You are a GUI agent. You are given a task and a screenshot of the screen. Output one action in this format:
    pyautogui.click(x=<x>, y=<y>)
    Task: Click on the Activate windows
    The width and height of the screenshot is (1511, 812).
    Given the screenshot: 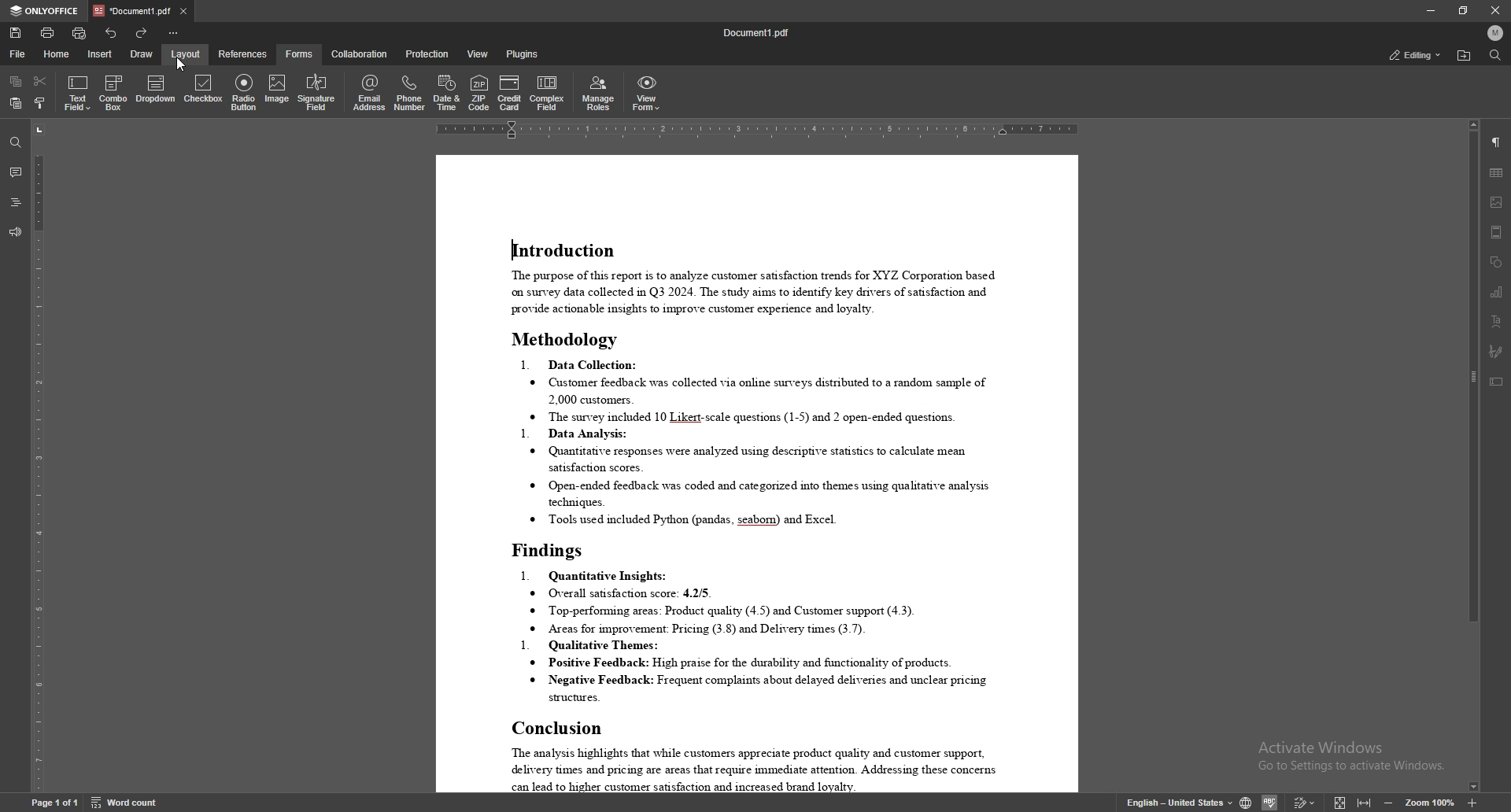 What is the action you would take?
    pyautogui.click(x=1347, y=758)
    